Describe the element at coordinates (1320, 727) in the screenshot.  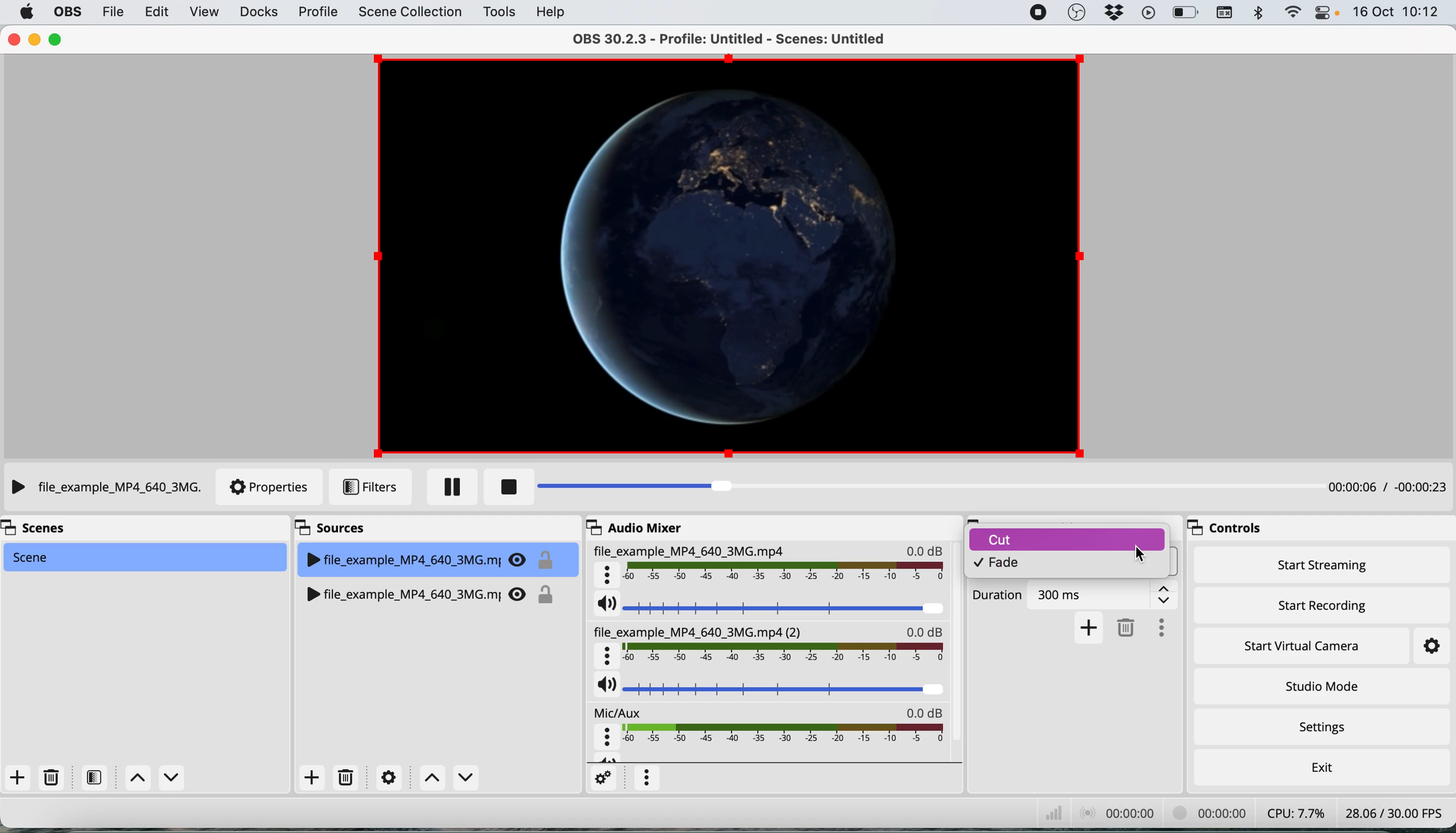
I see `settings` at that location.